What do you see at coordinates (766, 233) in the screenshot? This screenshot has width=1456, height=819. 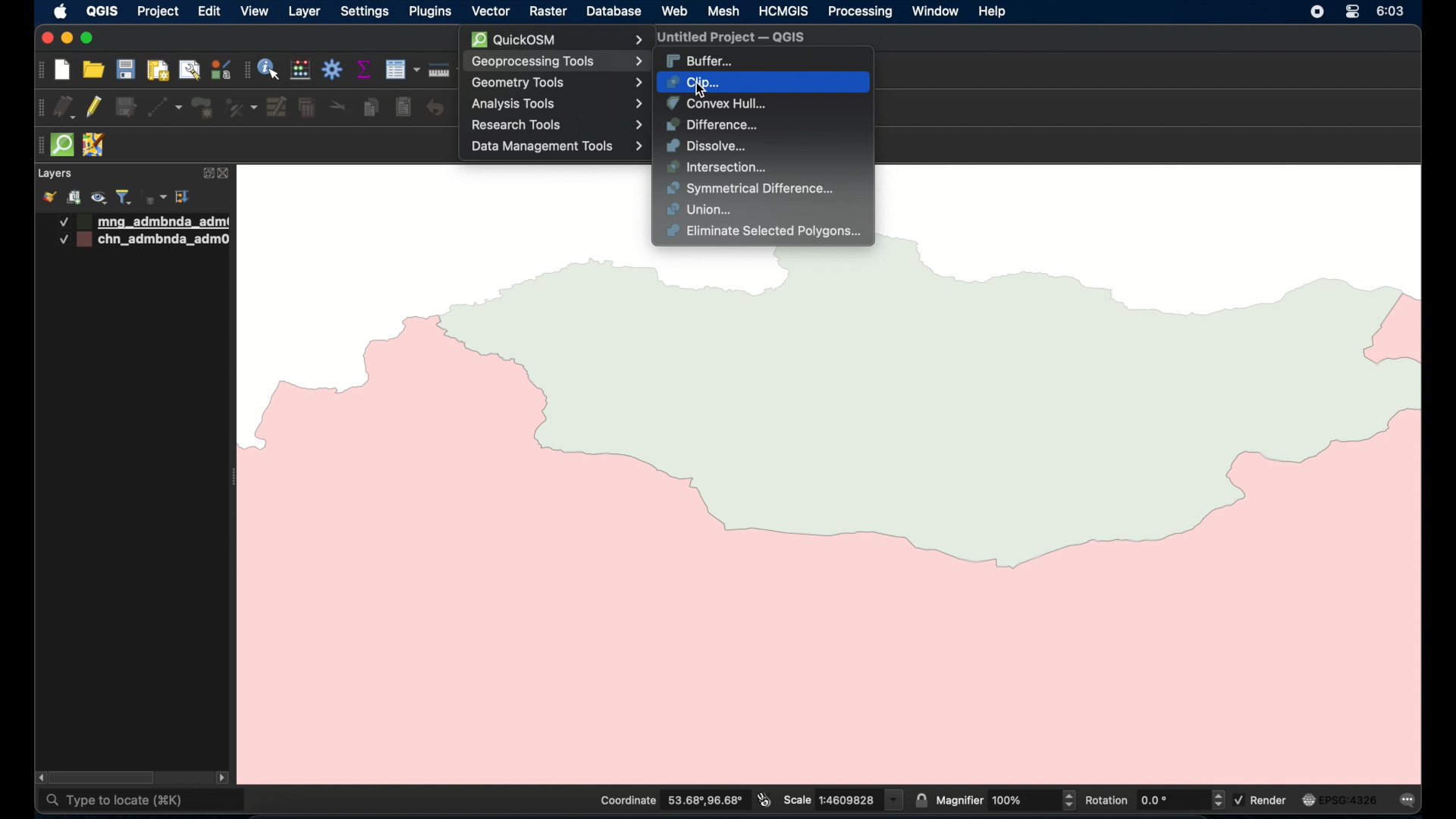 I see `eliminate selected polygons` at bounding box center [766, 233].